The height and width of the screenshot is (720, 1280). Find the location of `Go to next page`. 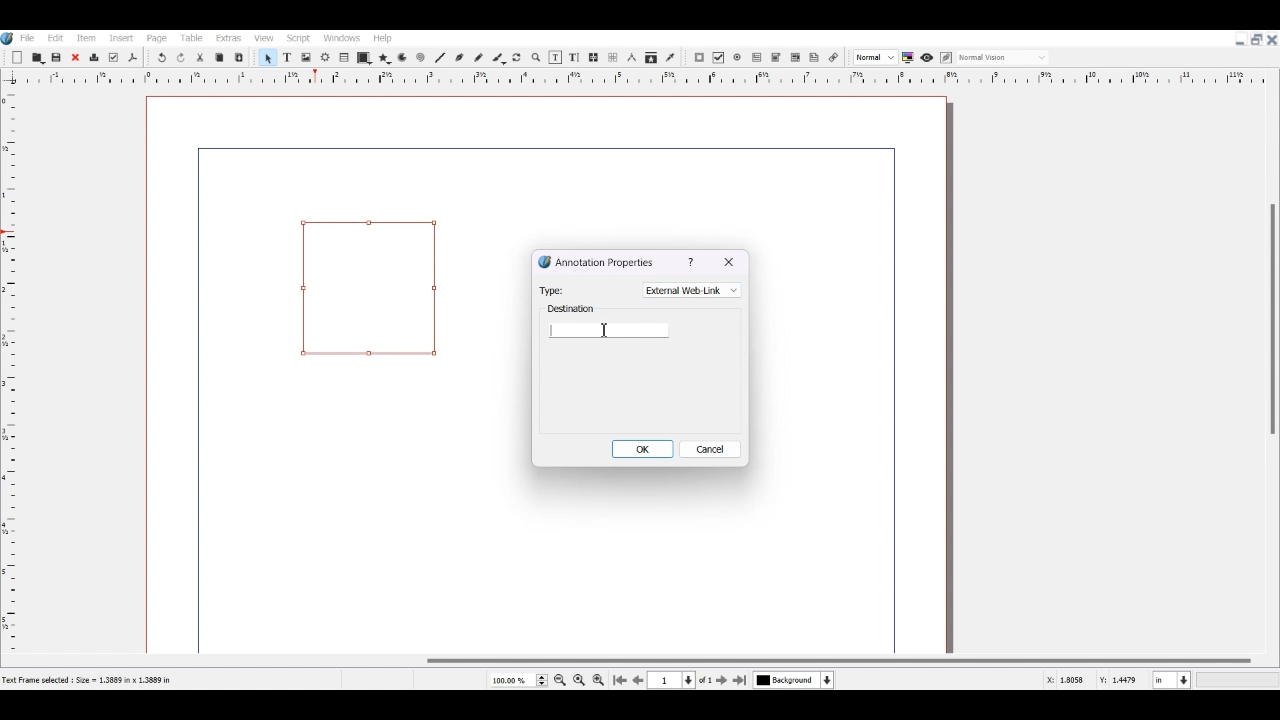

Go to next page is located at coordinates (723, 680).